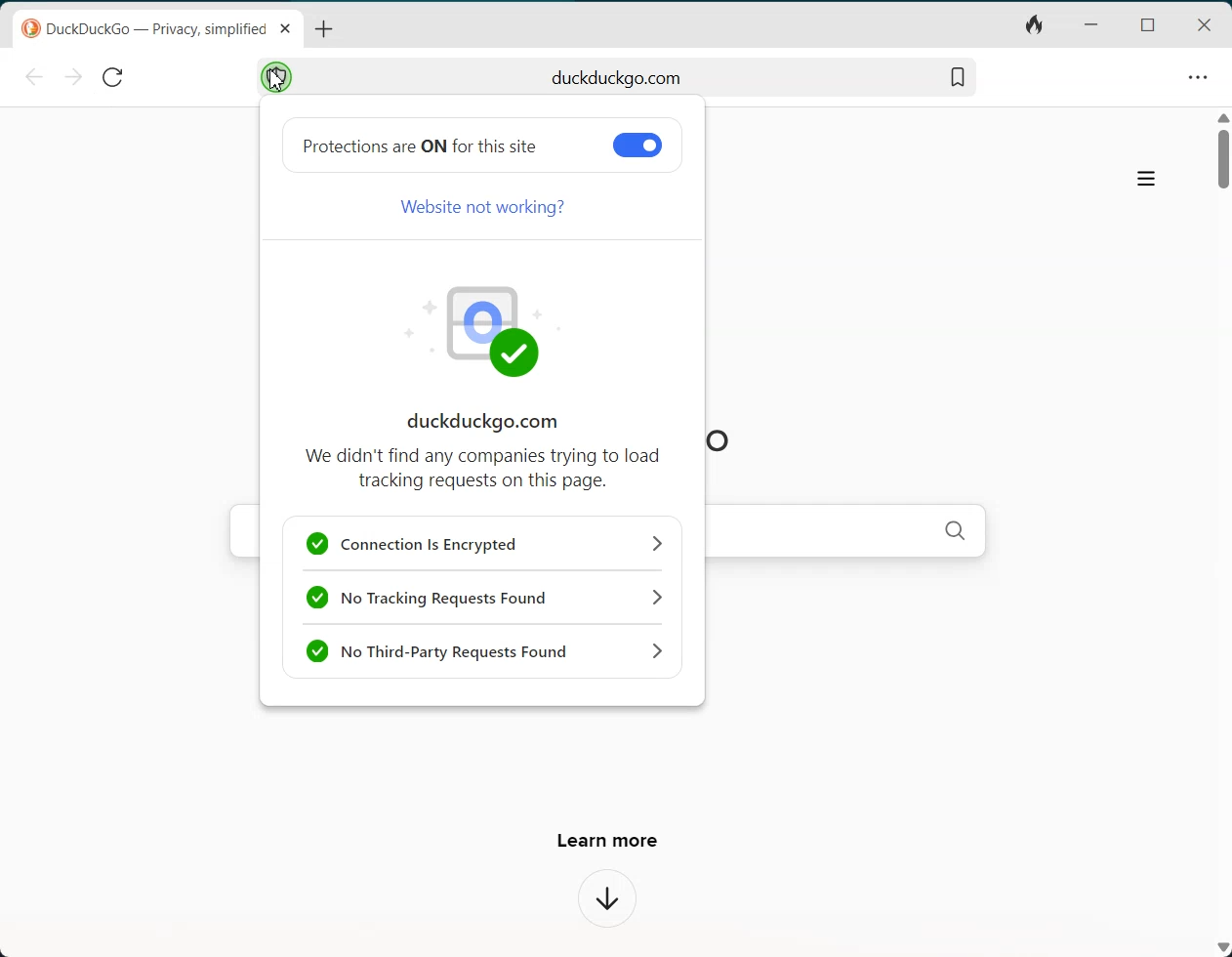  I want to click on Close tab, so click(285, 28).